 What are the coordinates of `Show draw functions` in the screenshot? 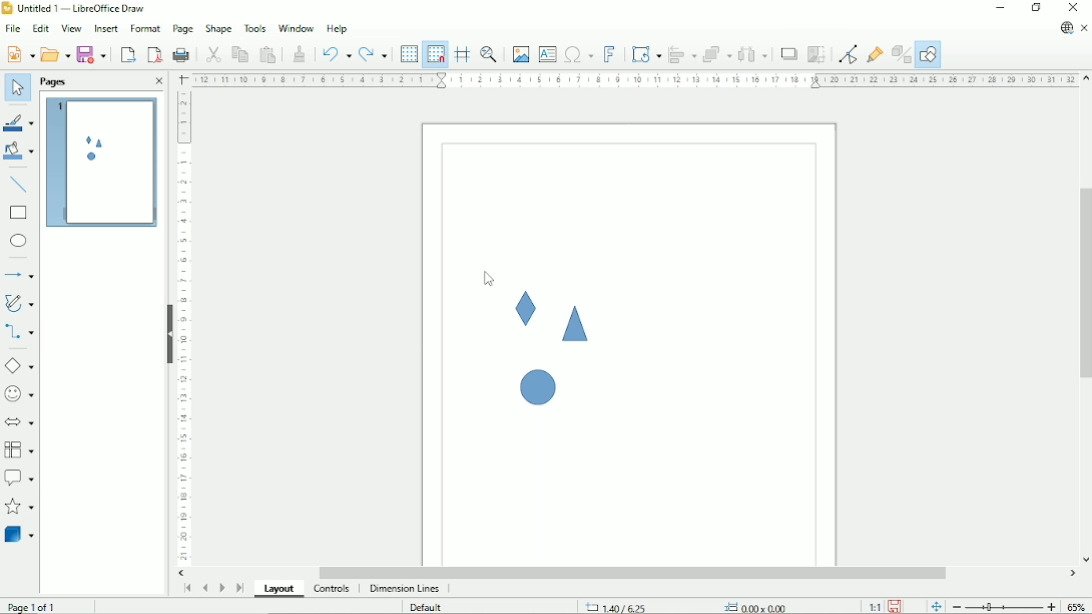 It's located at (928, 55).